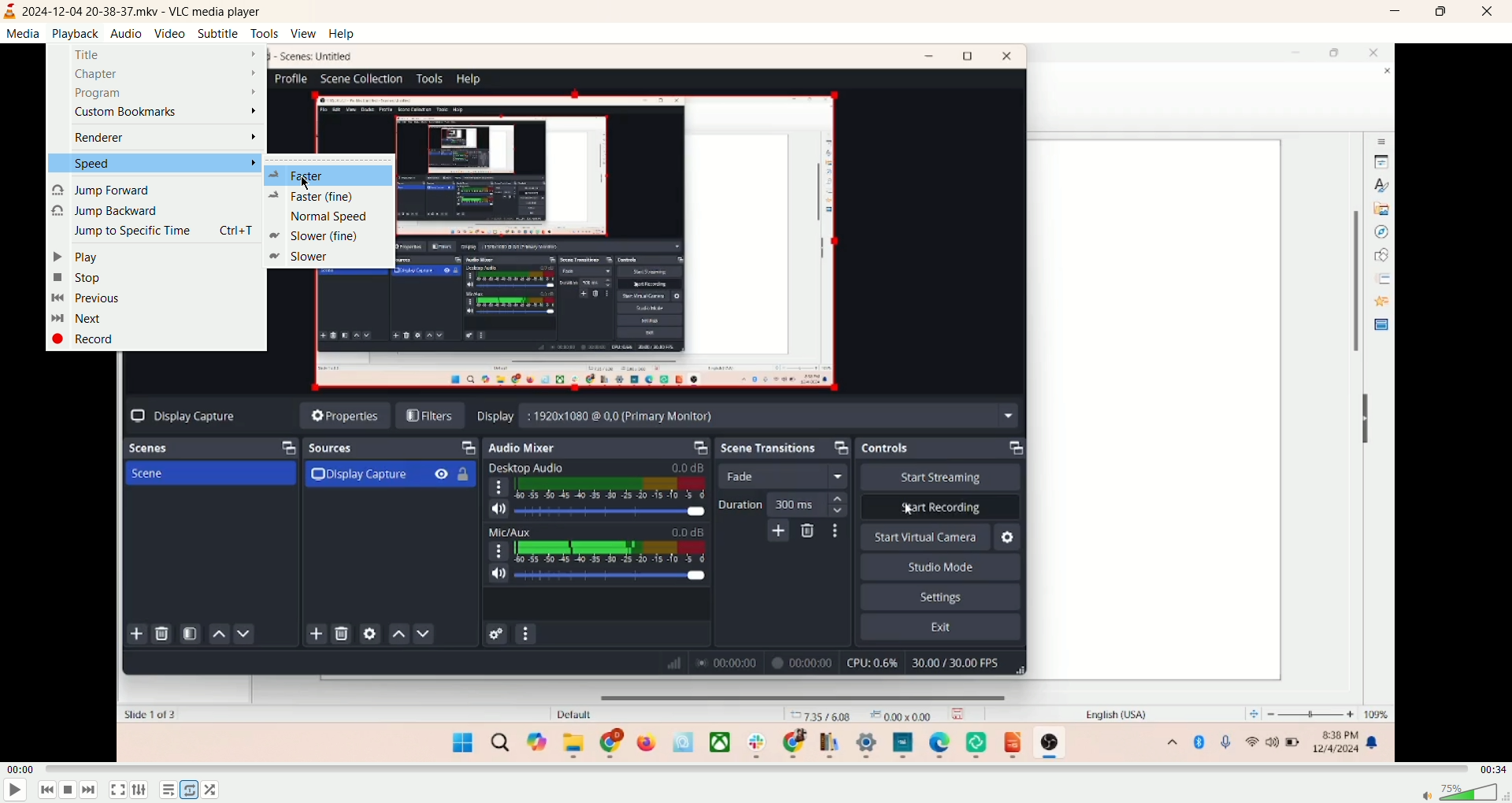  What do you see at coordinates (87, 298) in the screenshot?
I see `previous` at bounding box center [87, 298].